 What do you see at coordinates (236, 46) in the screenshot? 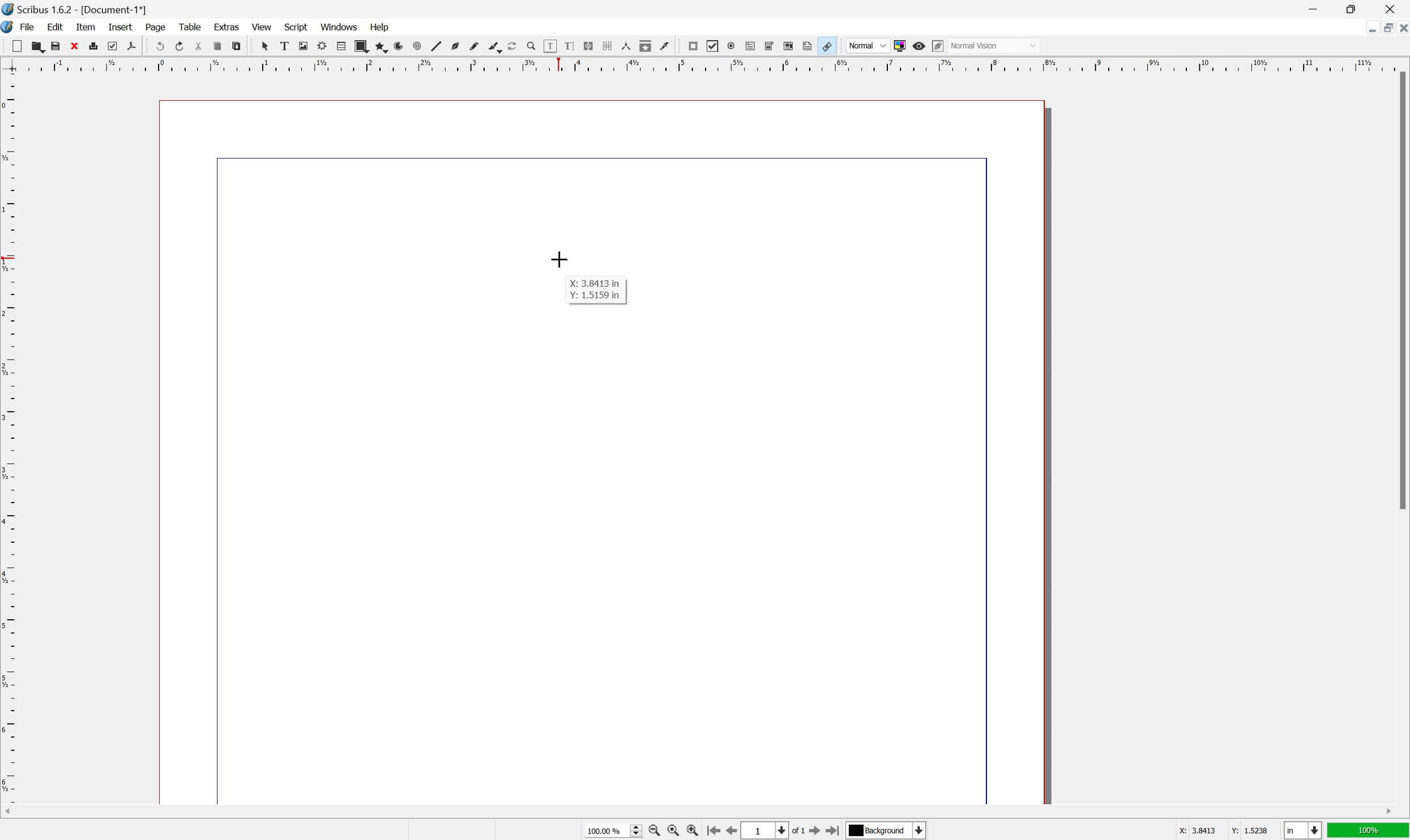
I see `paste` at bounding box center [236, 46].